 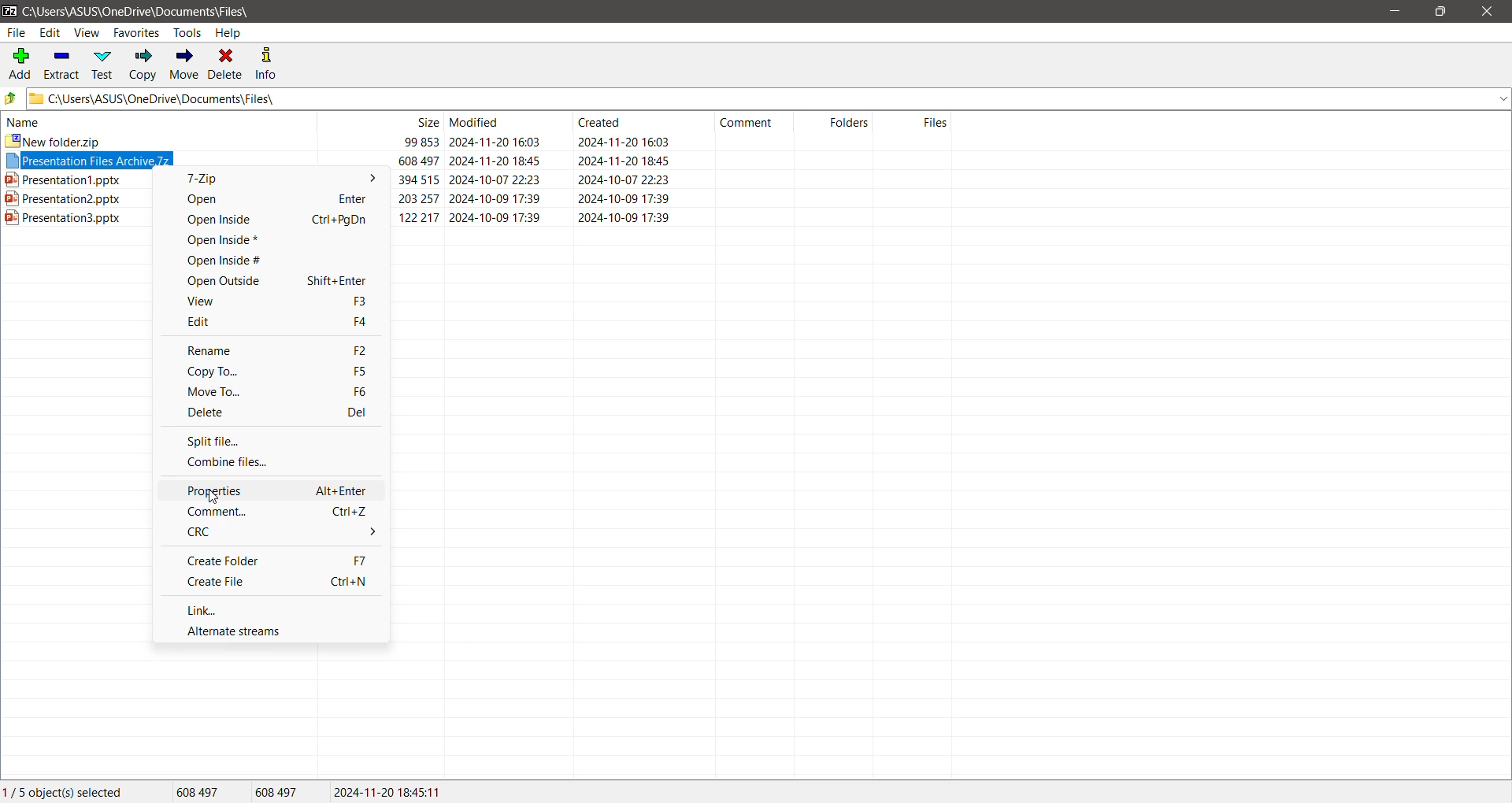 I want to click on Ctrl+N, so click(x=341, y=581).